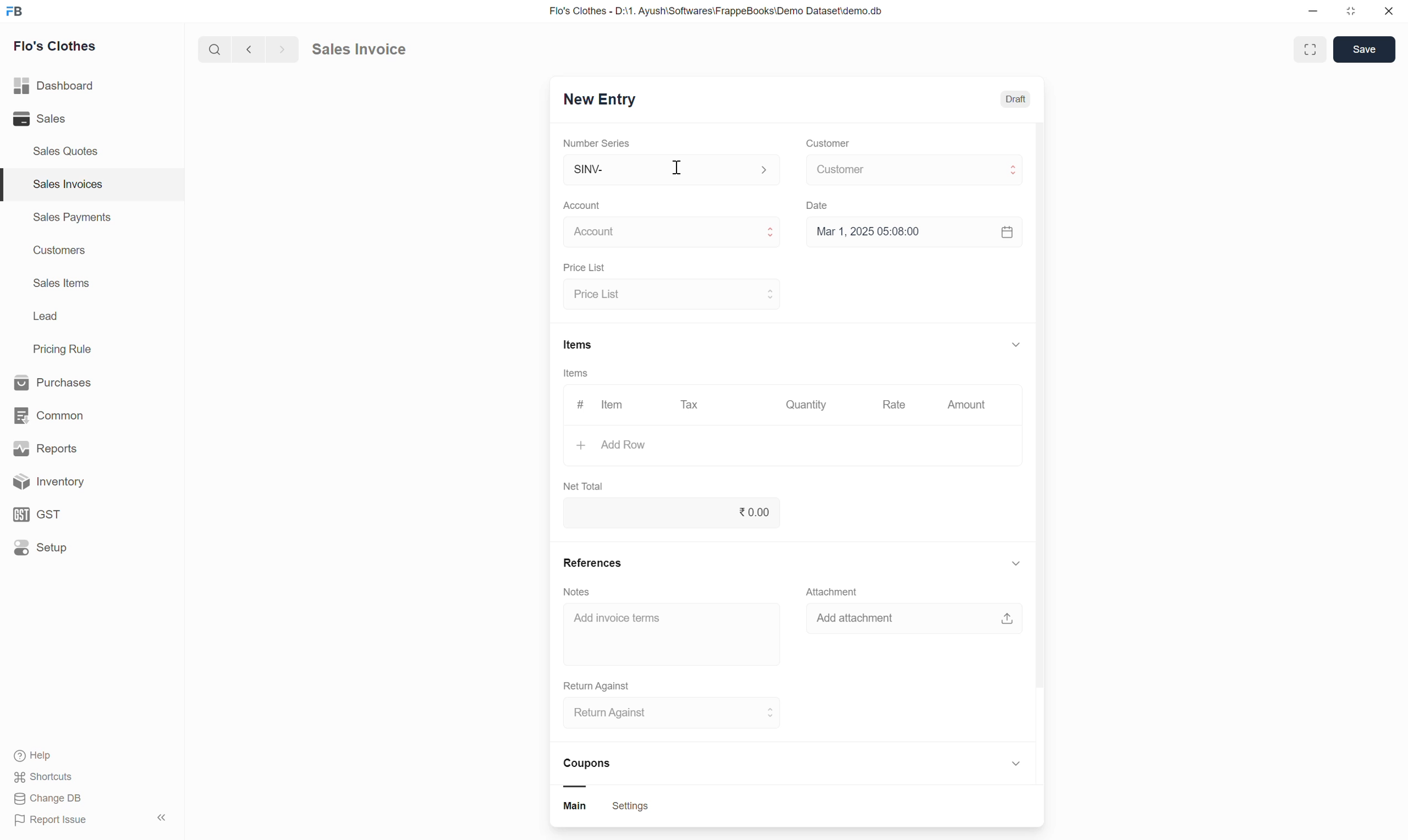 Image resolution: width=1408 pixels, height=840 pixels. What do you see at coordinates (669, 169) in the screenshot?
I see `Select Number series` at bounding box center [669, 169].